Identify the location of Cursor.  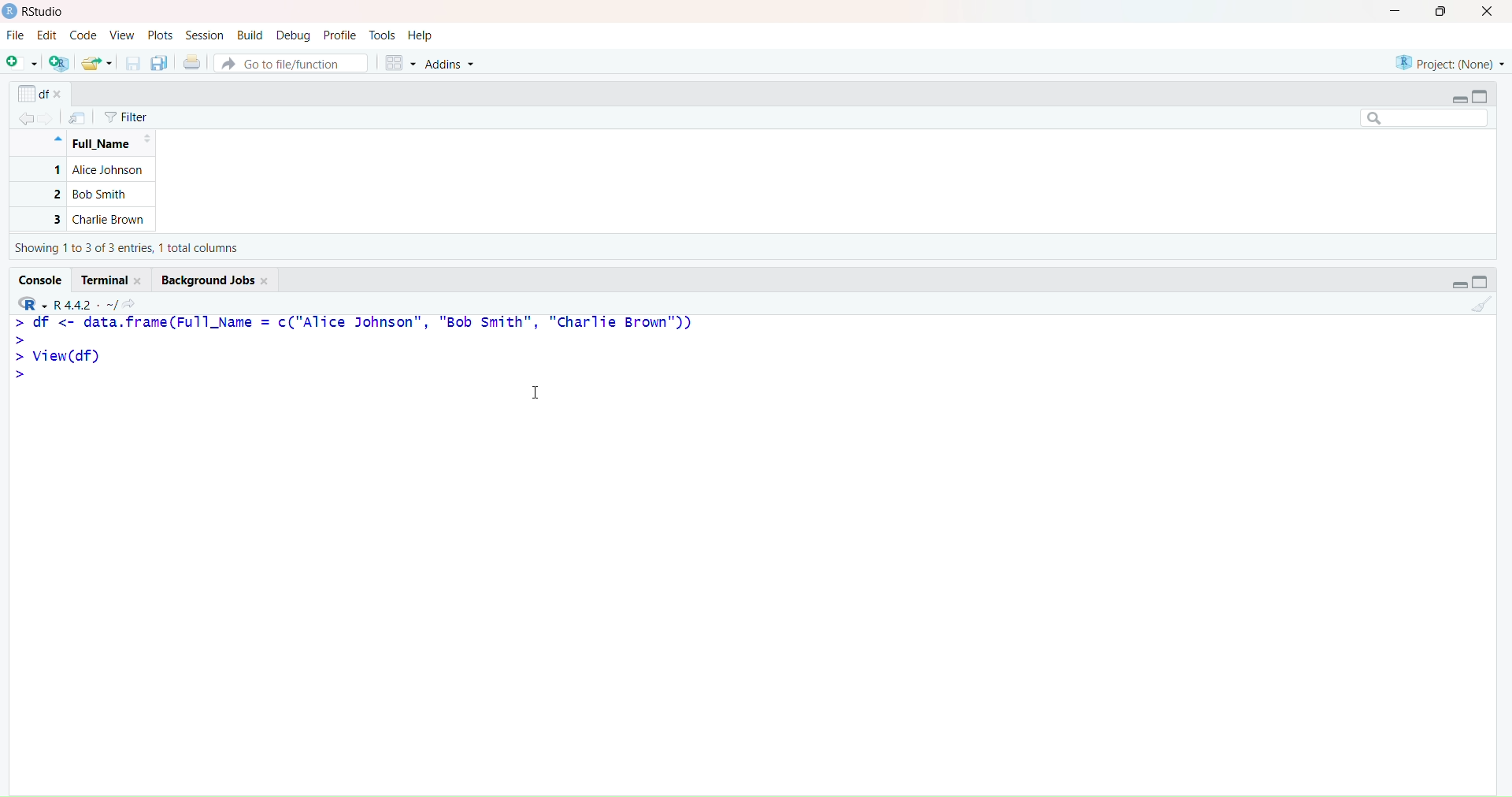
(543, 393).